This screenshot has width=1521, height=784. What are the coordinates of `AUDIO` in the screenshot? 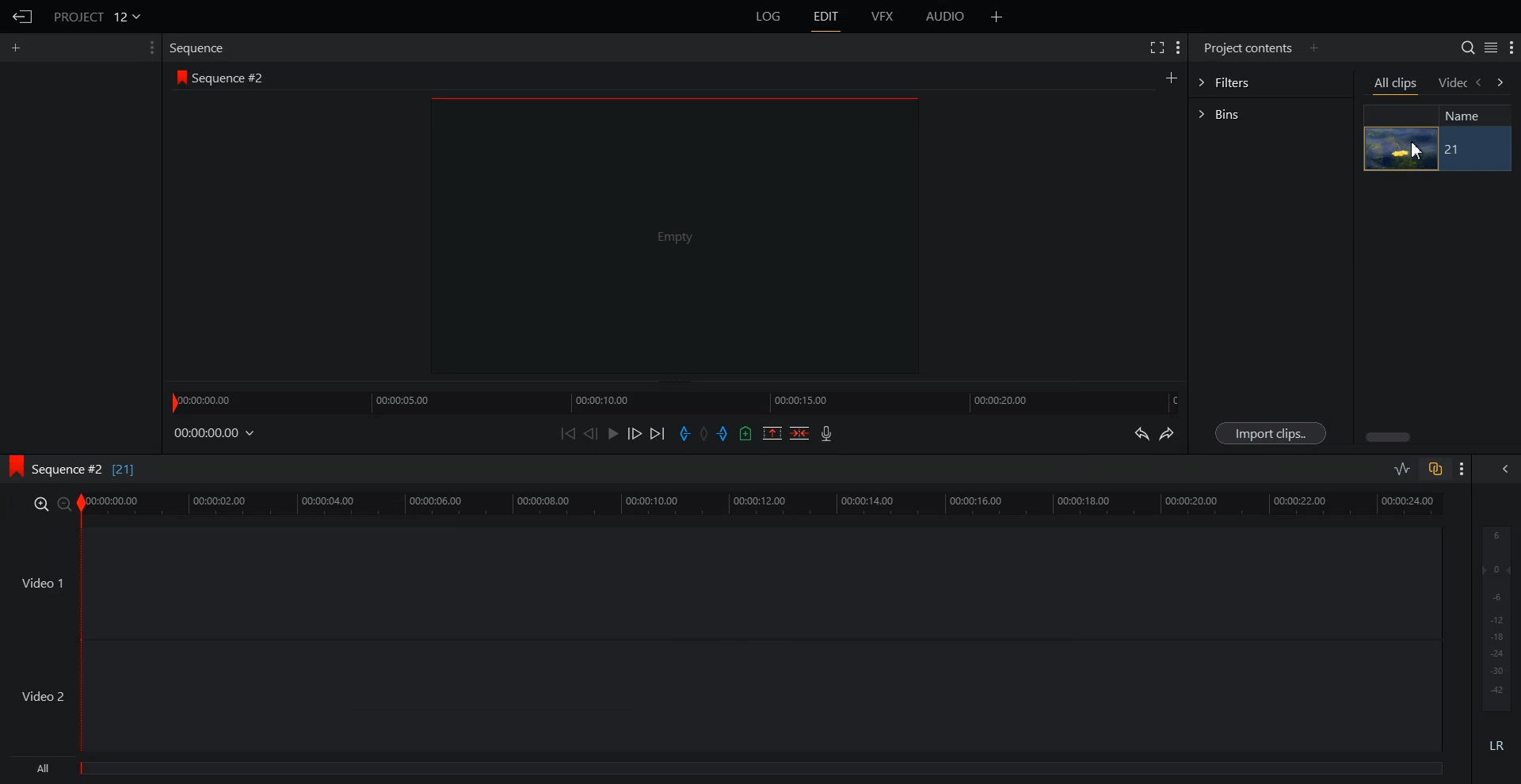 It's located at (946, 17).